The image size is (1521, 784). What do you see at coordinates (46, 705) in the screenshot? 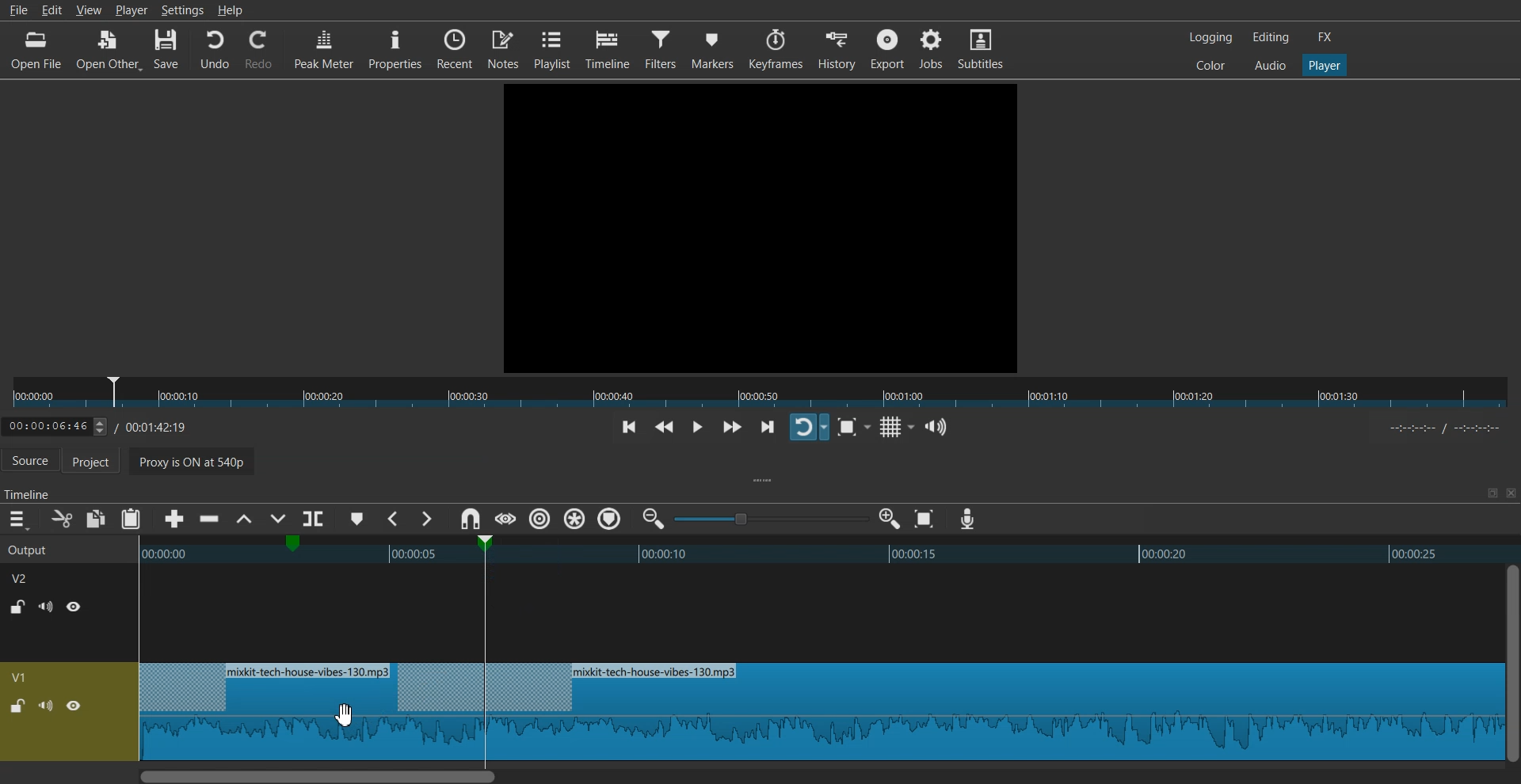
I see `Mute` at bounding box center [46, 705].